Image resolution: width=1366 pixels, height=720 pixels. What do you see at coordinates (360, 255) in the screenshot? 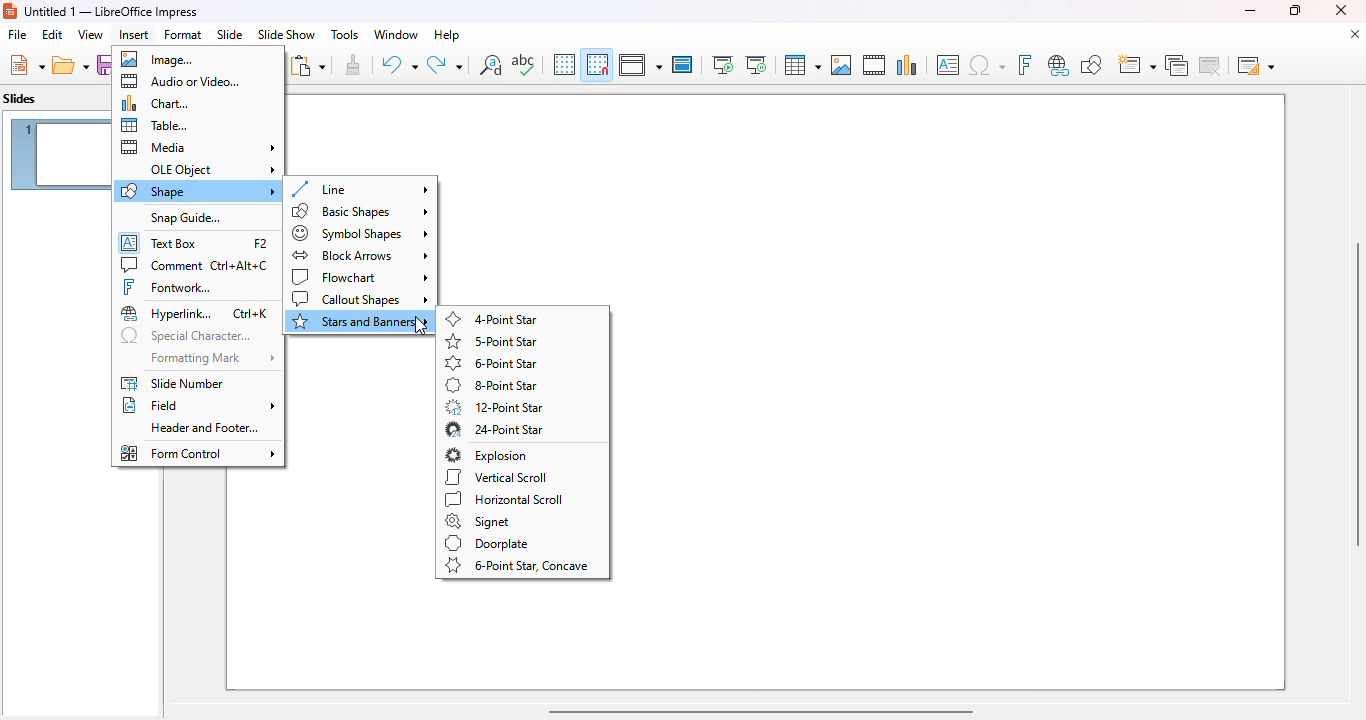
I see `block arrows` at bounding box center [360, 255].